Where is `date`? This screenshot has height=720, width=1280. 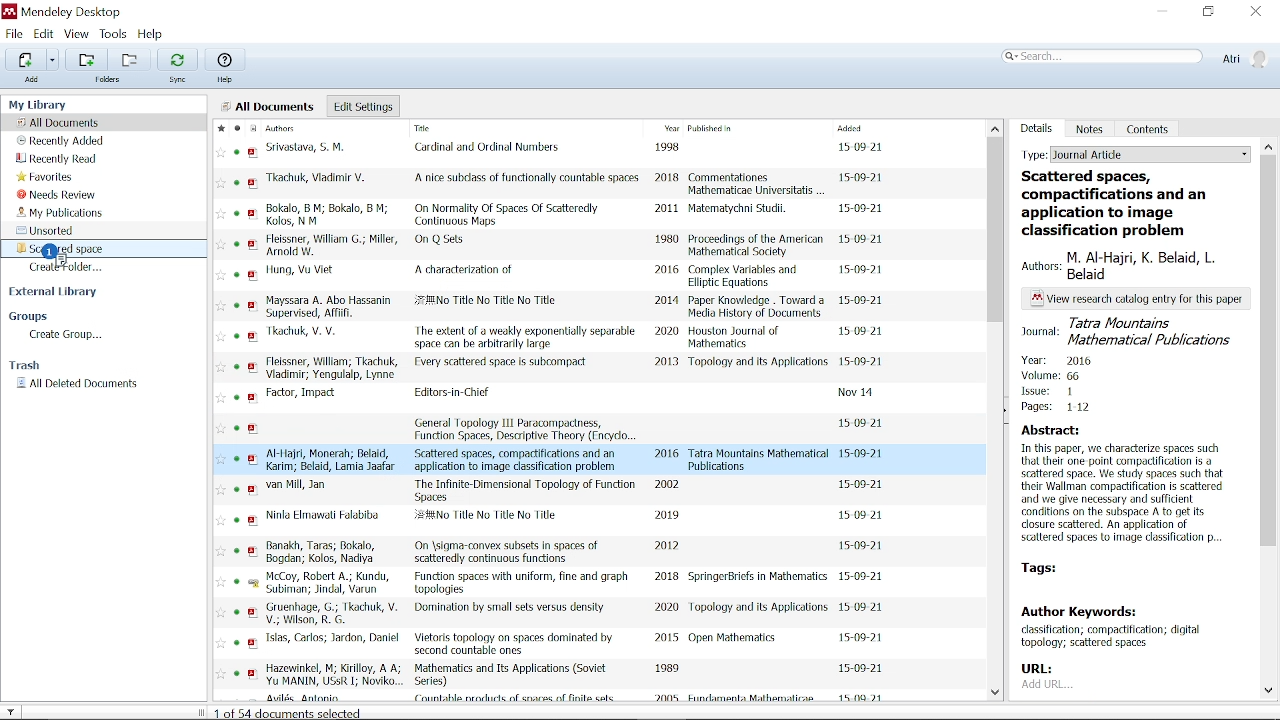
date is located at coordinates (858, 394).